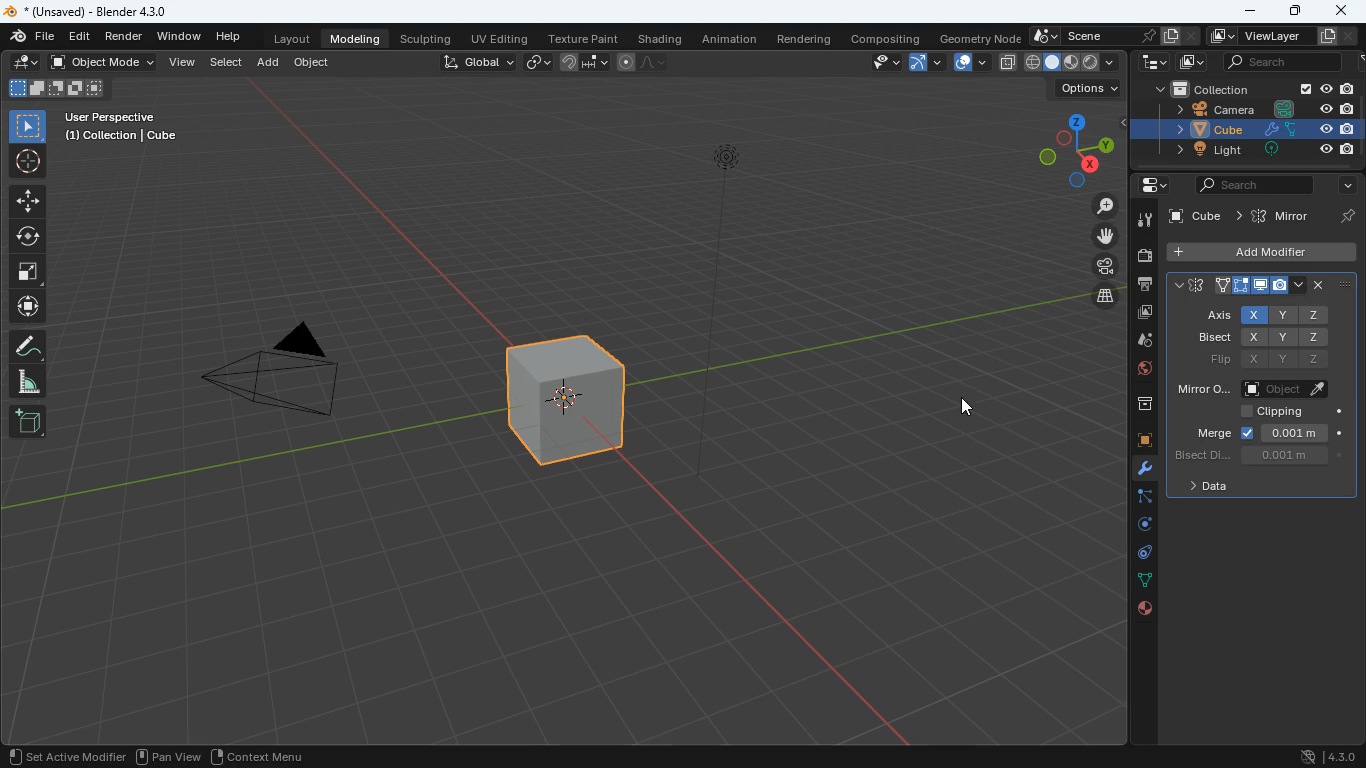 The image size is (1366, 768). What do you see at coordinates (1135, 500) in the screenshot?
I see `edge` at bounding box center [1135, 500].